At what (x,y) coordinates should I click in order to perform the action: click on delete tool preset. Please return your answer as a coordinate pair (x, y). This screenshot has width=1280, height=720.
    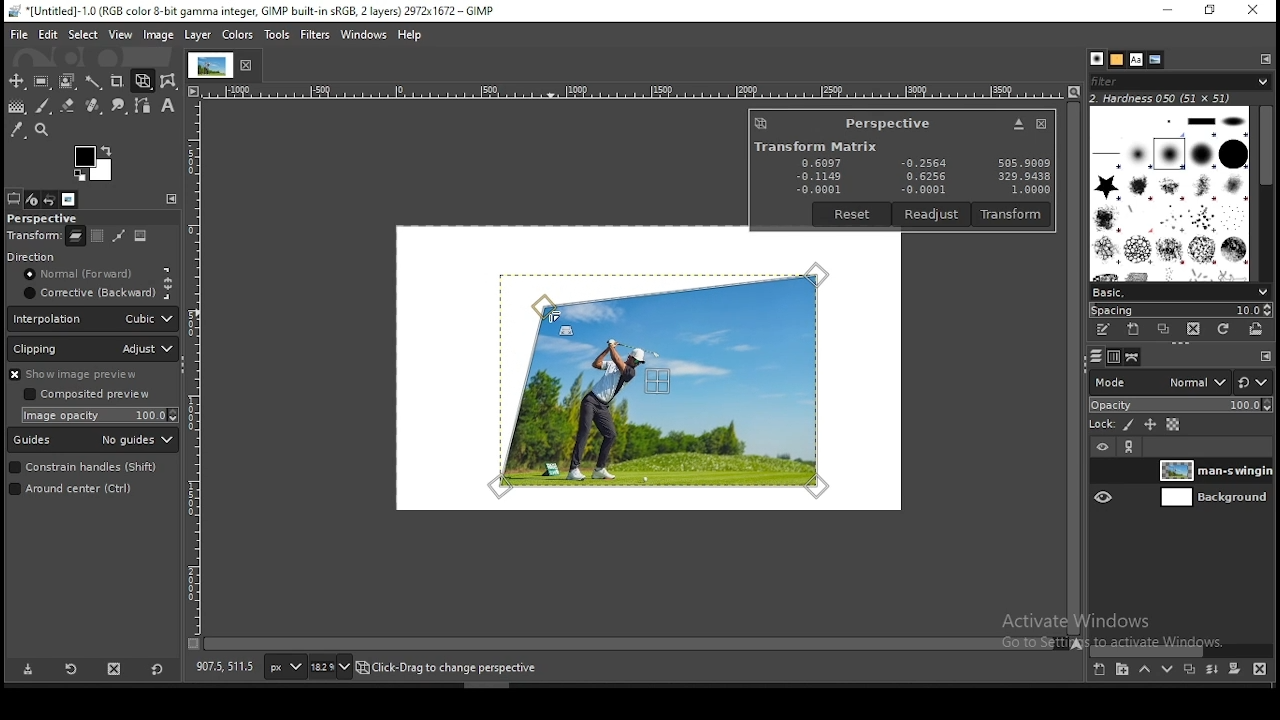
    Looking at the image, I should click on (116, 668).